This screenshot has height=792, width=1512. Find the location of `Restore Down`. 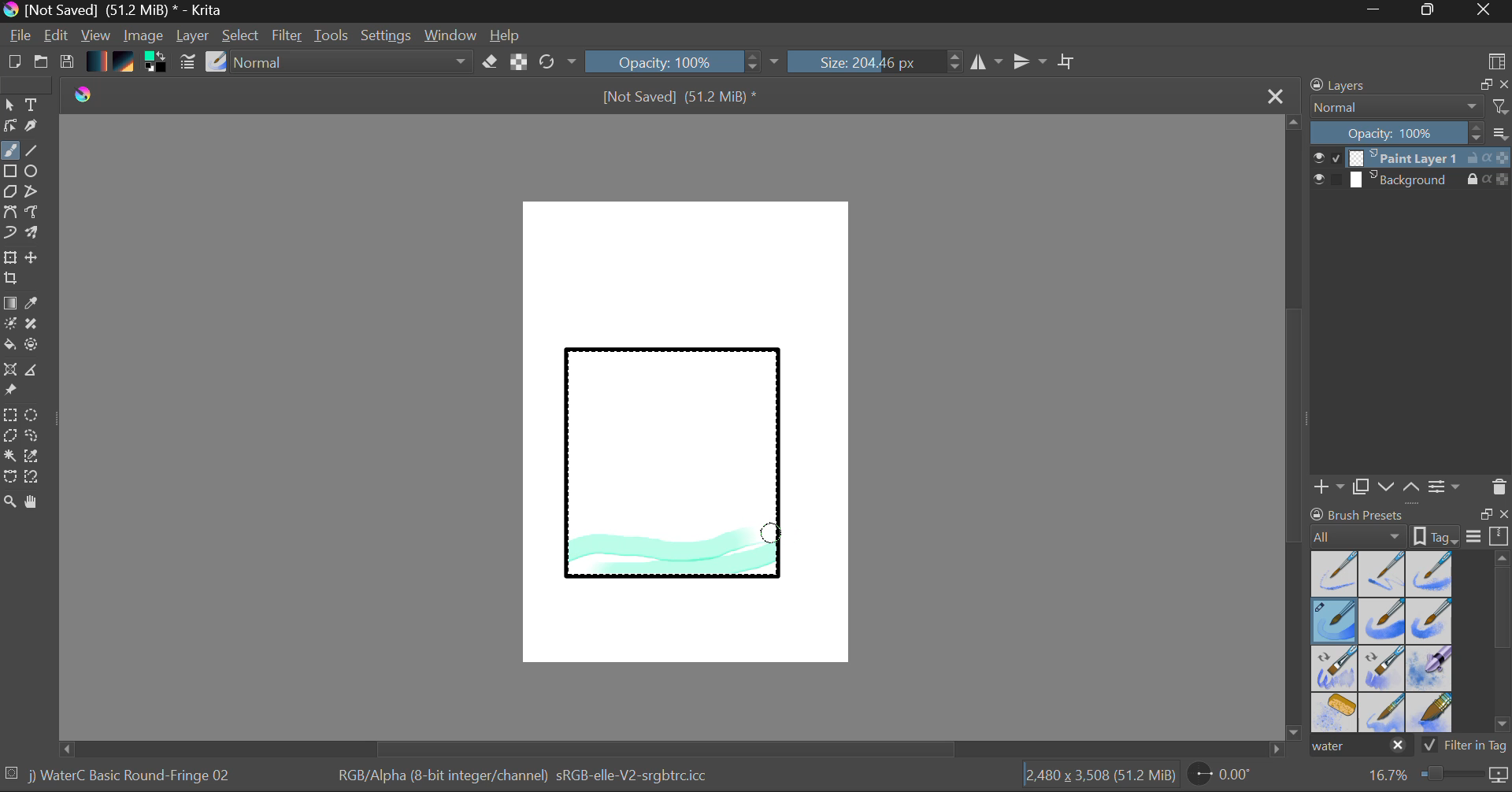

Restore Down is located at coordinates (1379, 11).